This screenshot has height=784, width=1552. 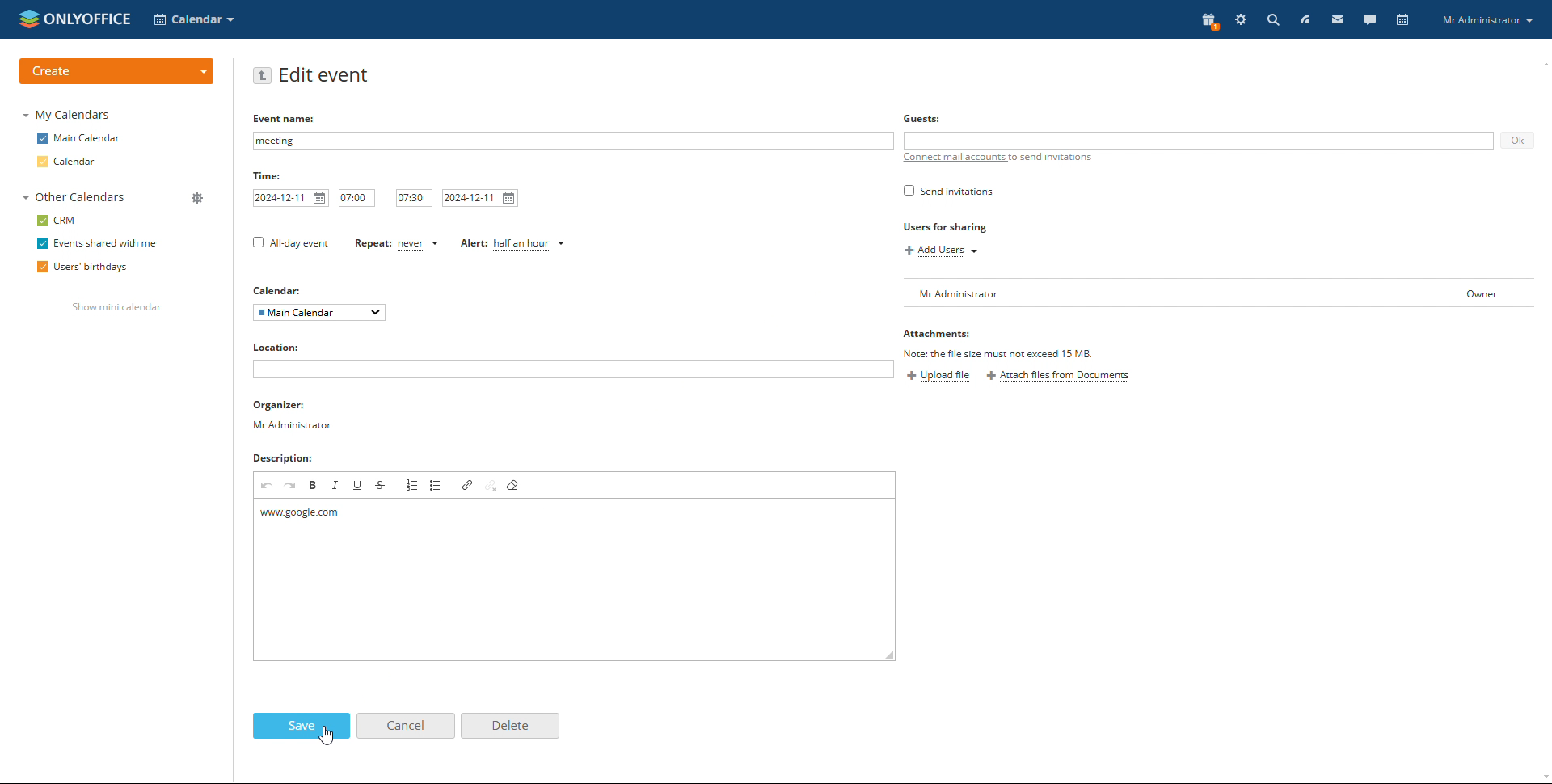 I want to click on add event name, so click(x=571, y=141).